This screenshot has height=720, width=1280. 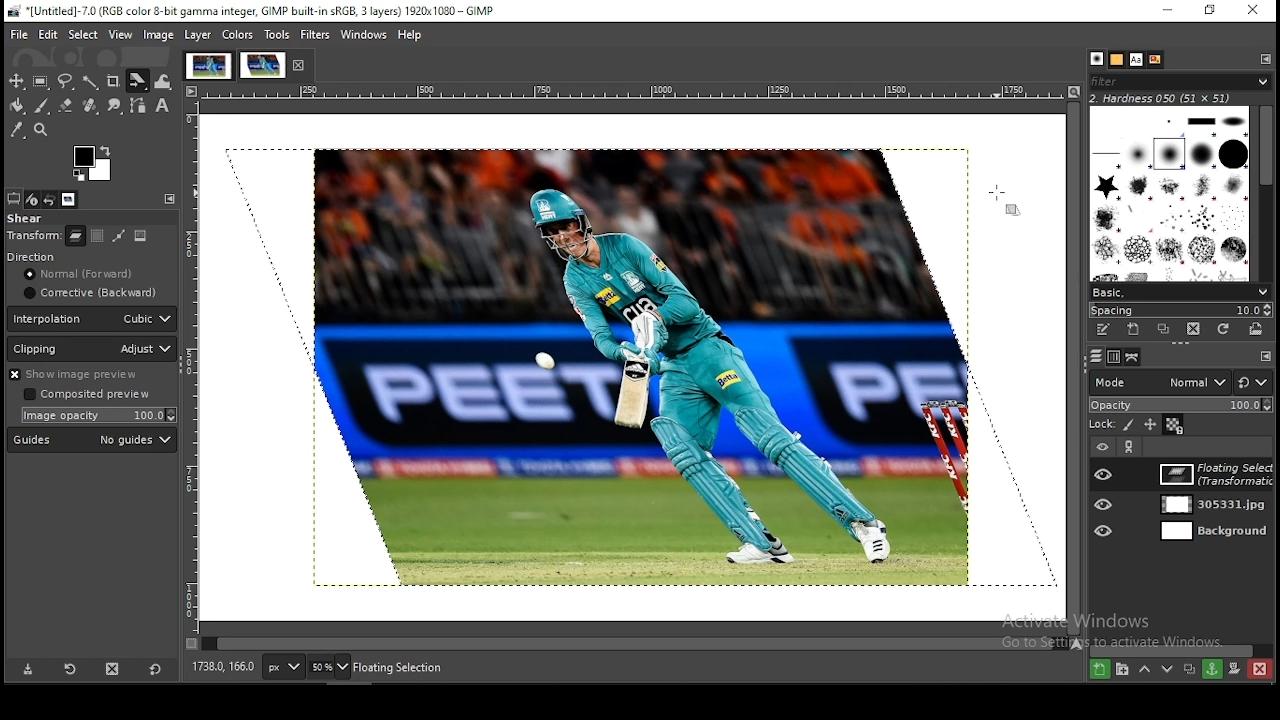 I want to click on delete this brush, so click(x=1193, y=329).